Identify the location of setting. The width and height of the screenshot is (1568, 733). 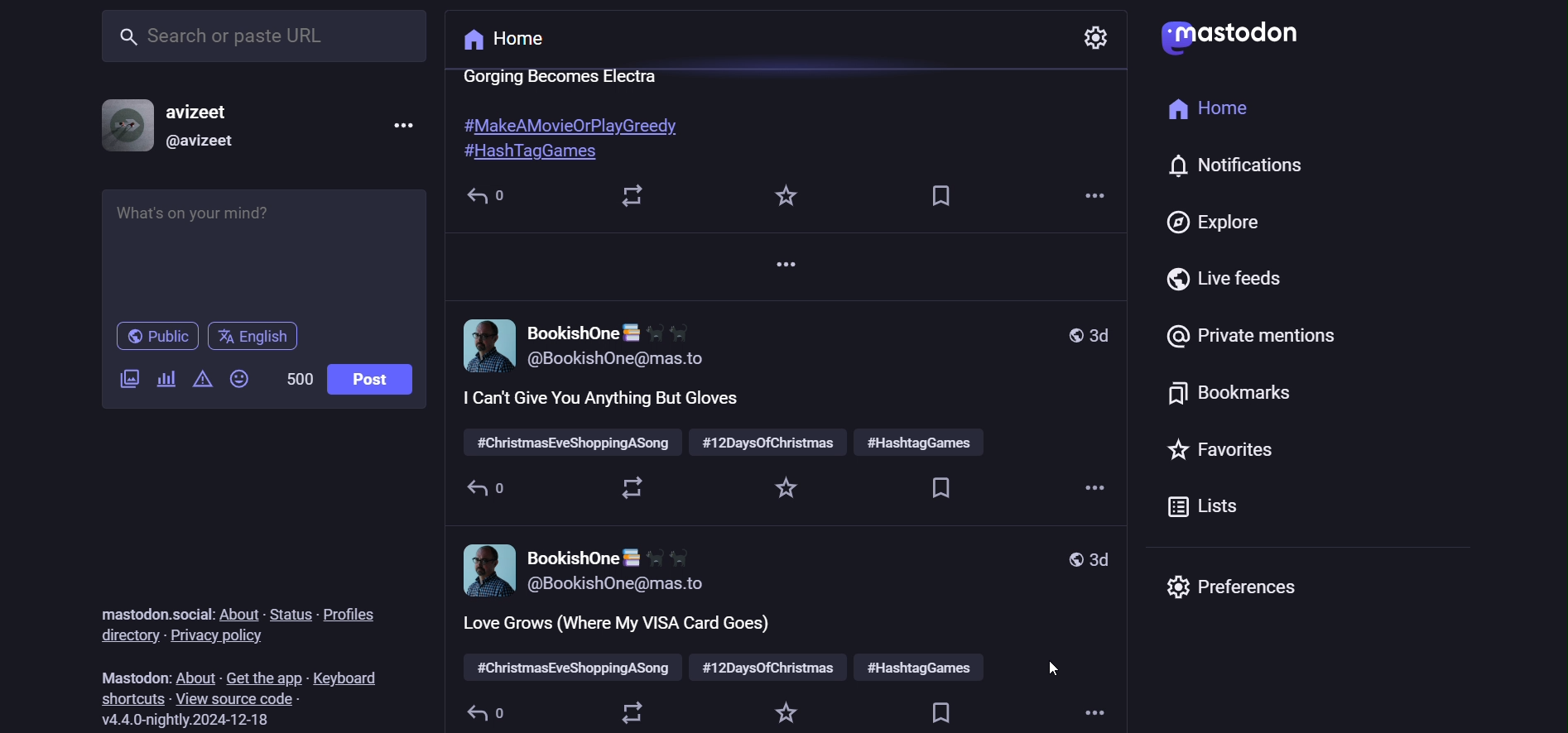
(1100, 32).